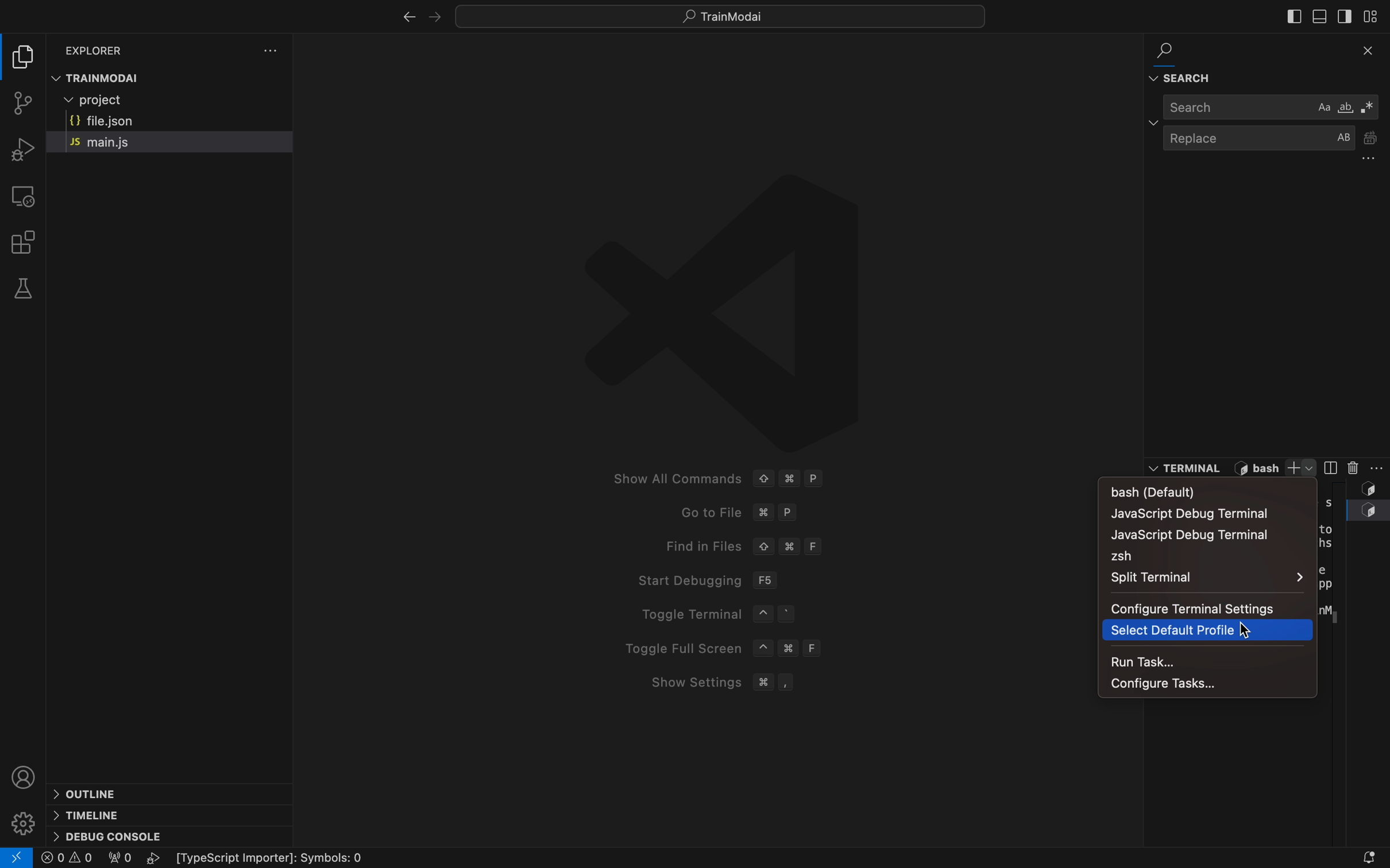 The height and width of the screenshot is (868, 1390). I want to click on sidebar at bottom, so click(1317, 16).